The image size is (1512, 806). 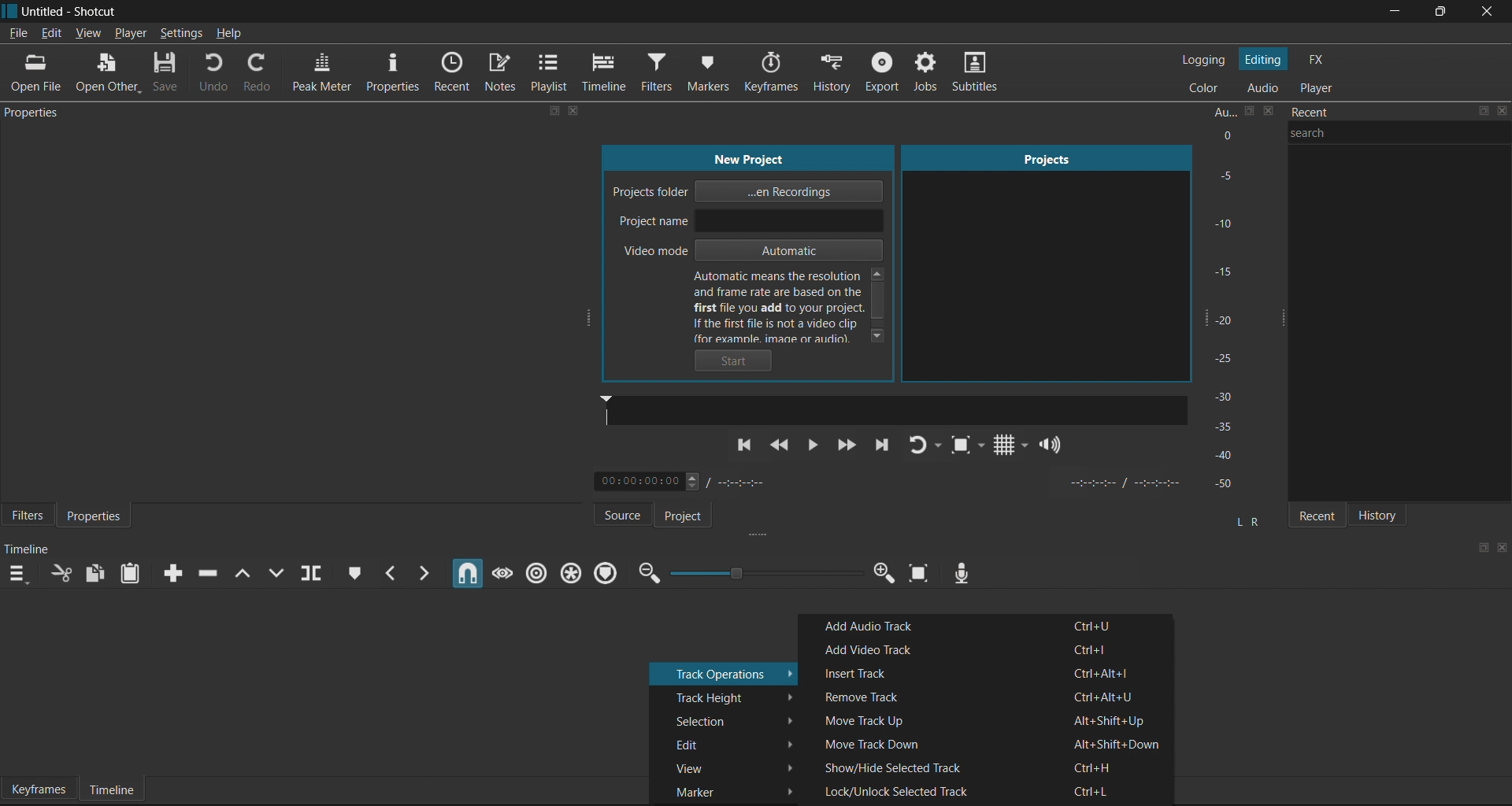 What do you see at coordinates (1053, 446) in the screenshot?
I see `Volume Control` at bounding box center [1053, 446].